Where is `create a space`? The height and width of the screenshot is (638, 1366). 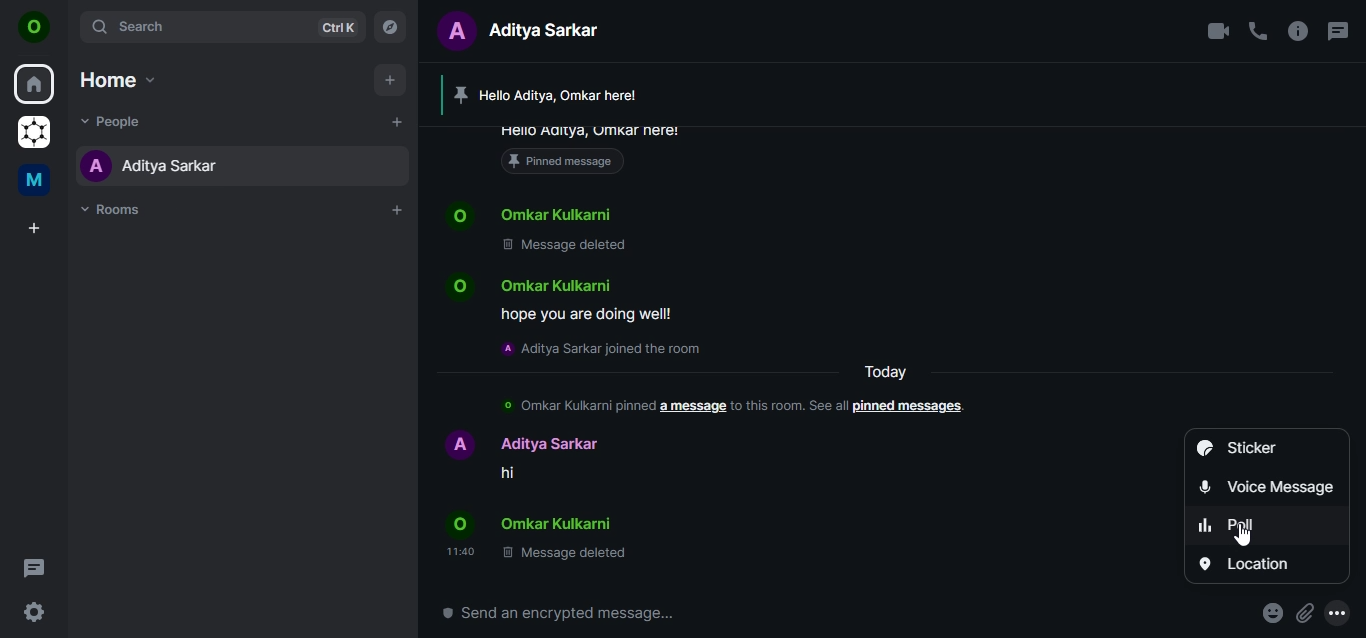 create a space is located at coordinates (37, 229).